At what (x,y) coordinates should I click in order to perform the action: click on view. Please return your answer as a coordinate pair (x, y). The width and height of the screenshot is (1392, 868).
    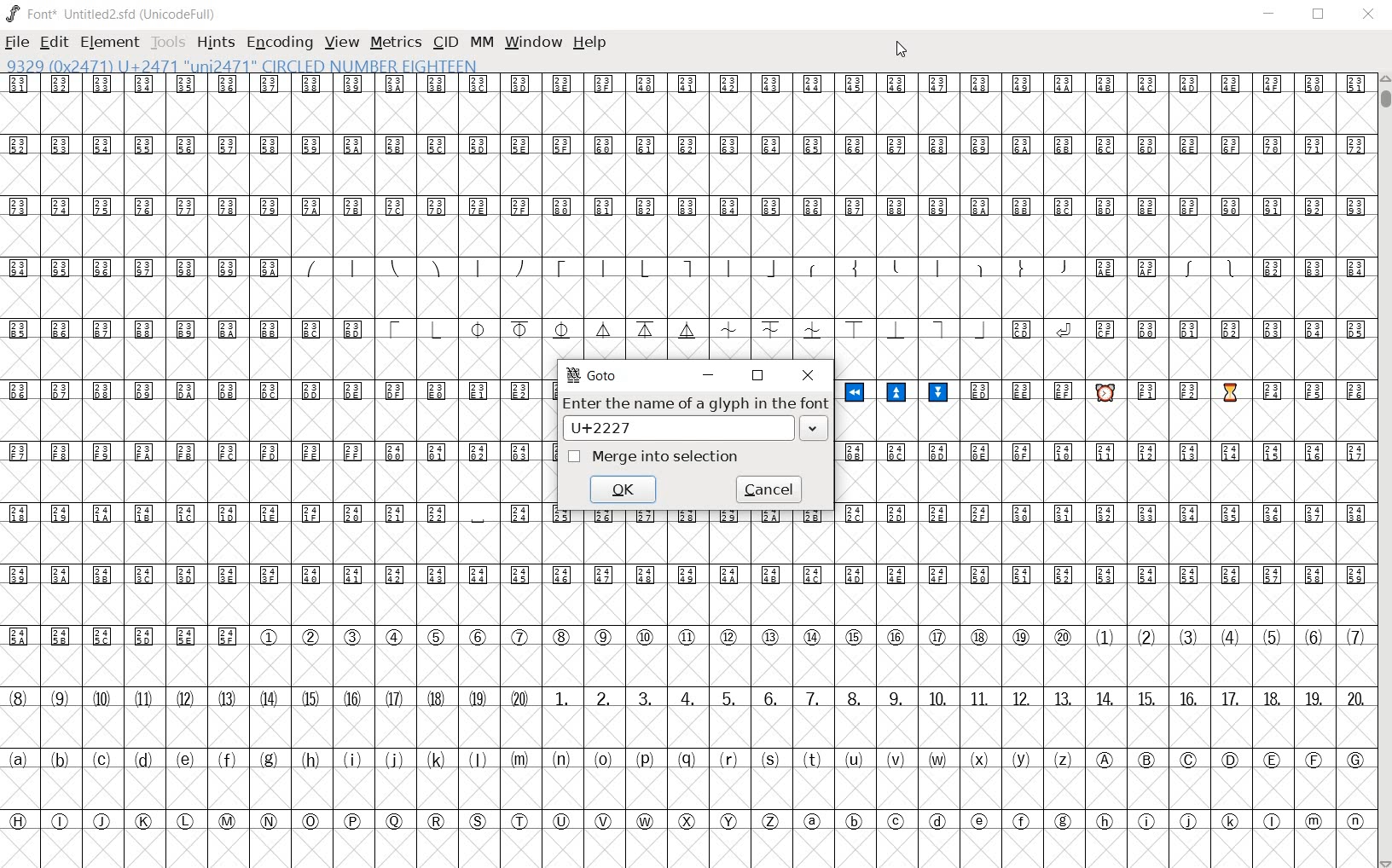
    Looking at the image, I should click on (341, 42).